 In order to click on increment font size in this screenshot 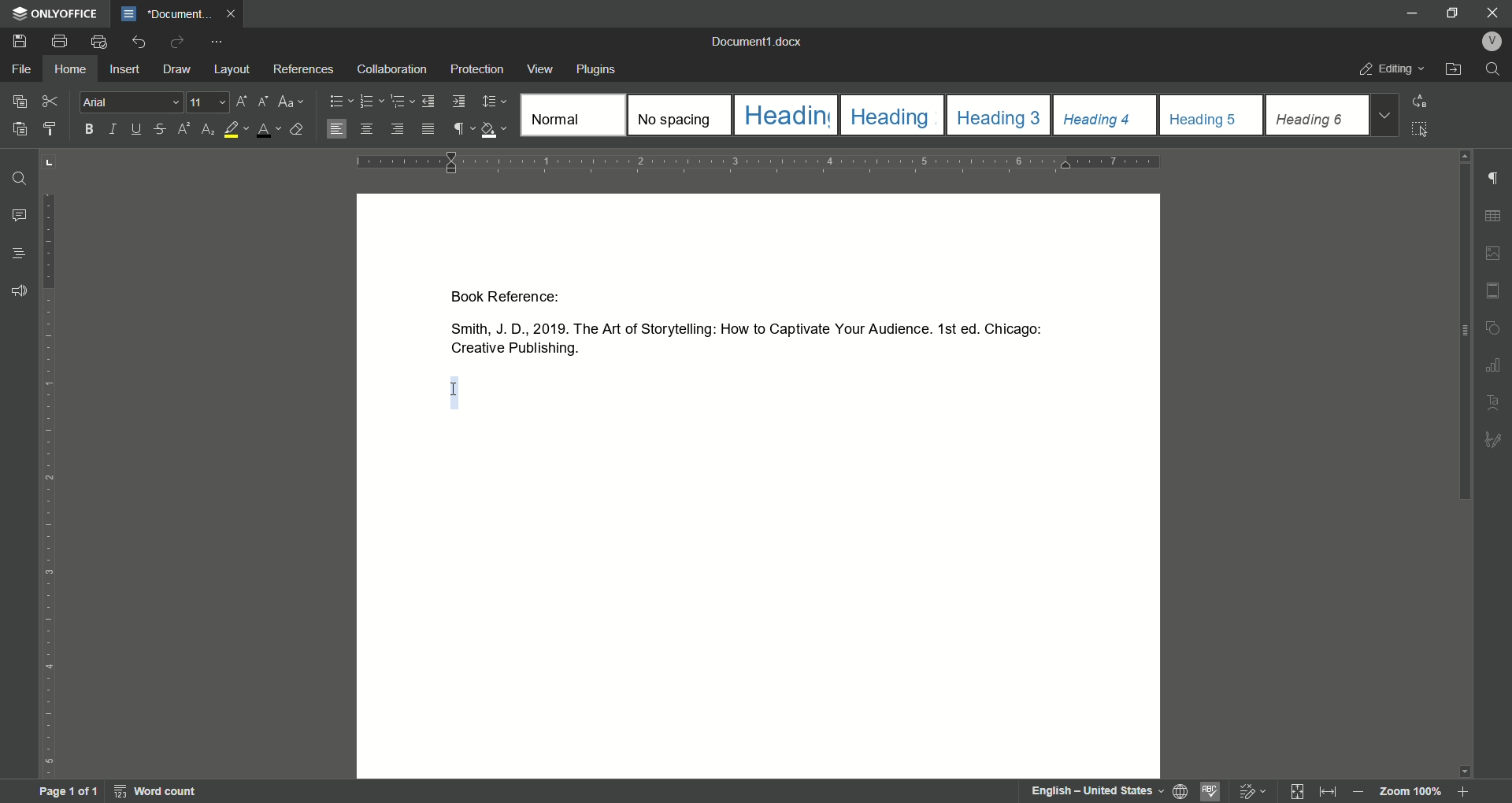, I will do `click(240, 102)`.